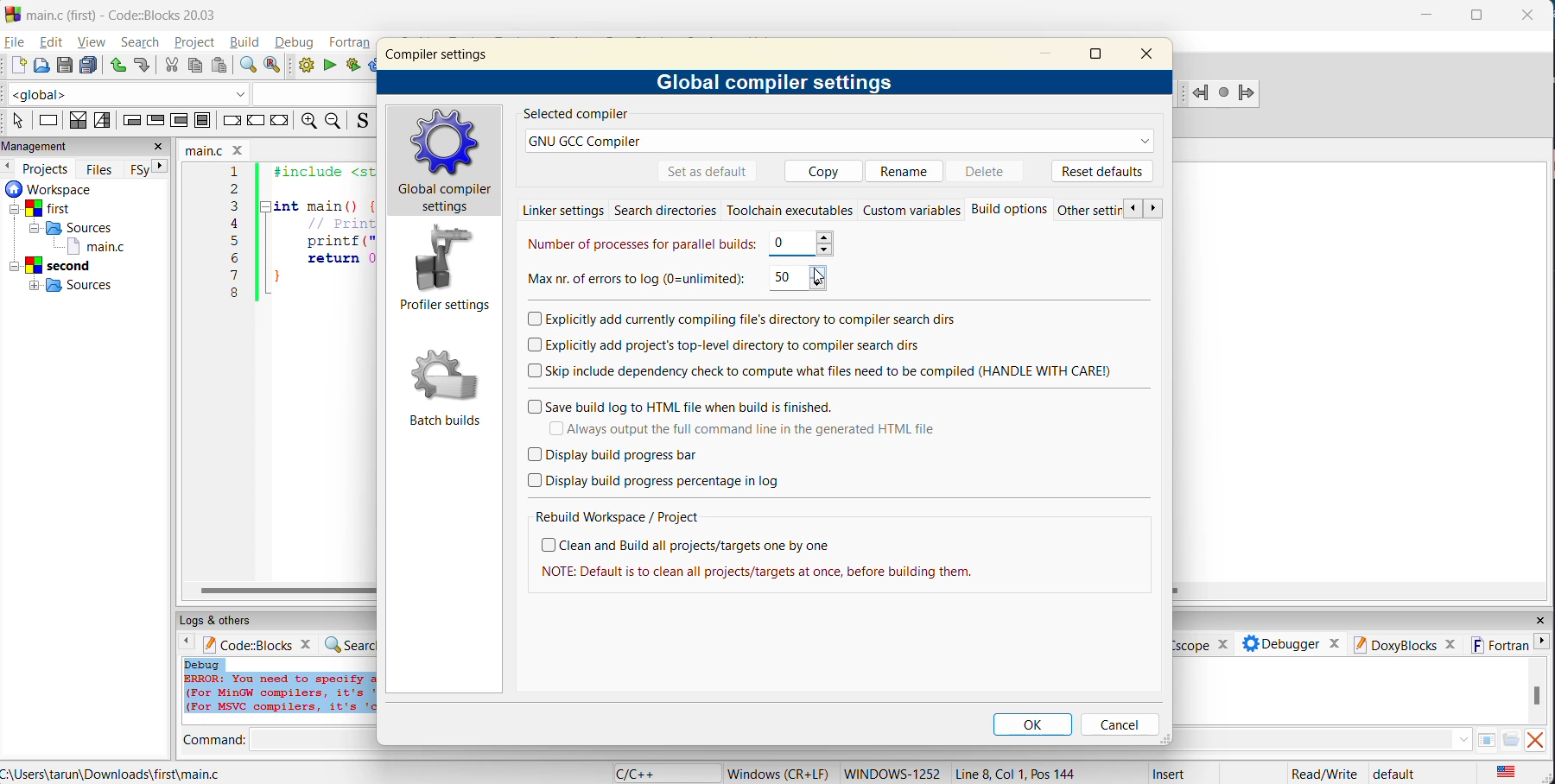 Image resolution: width=1555 pixels, height=784 pixels. Describe the element at coordinates (775, 80) in the screenshot. I see `global compiler settings` at that location.